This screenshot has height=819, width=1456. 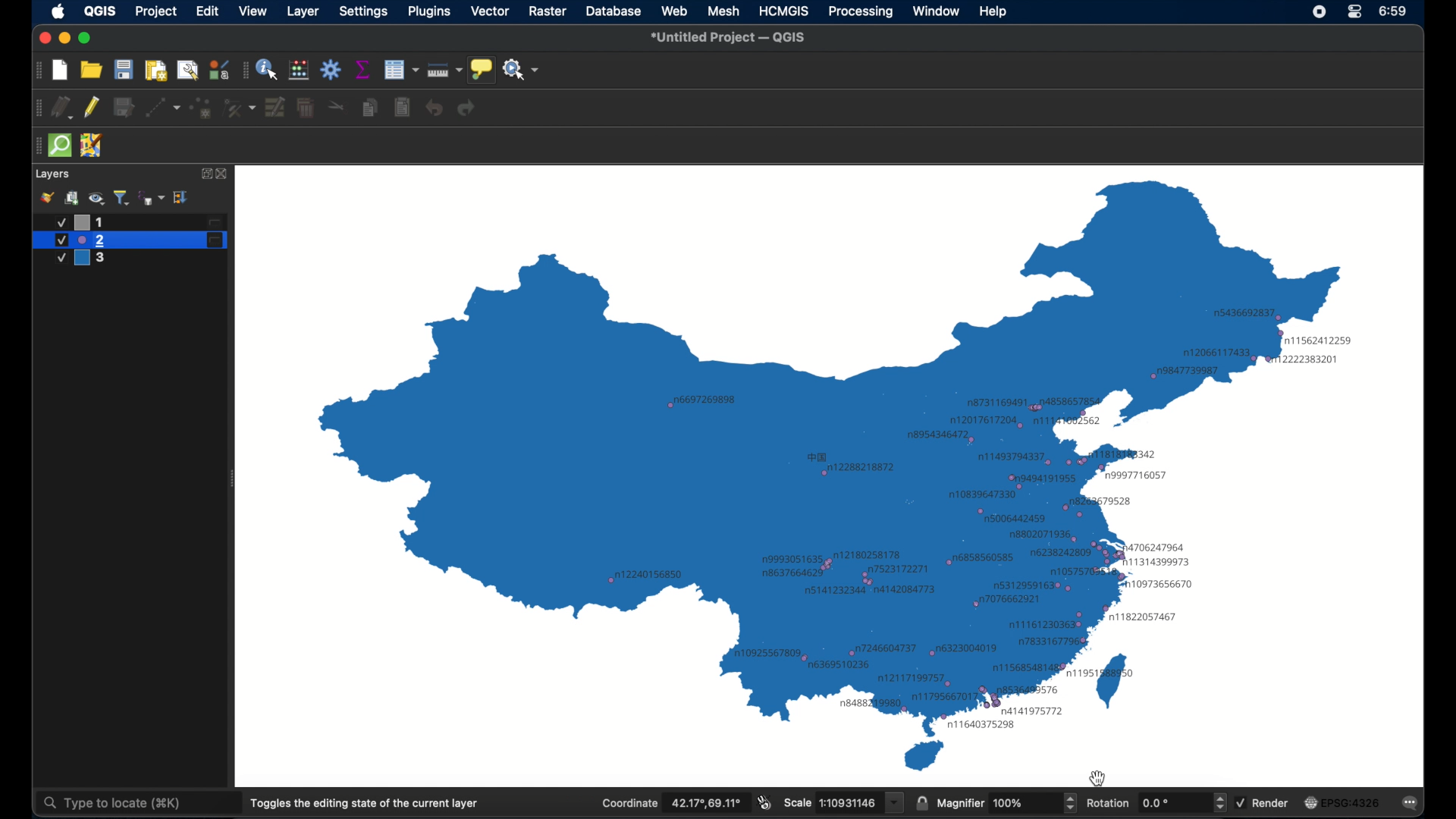 What do you see at coordinates (765, 802) in the screenshot?
I see `toggle extents and mouse display position` at bounding box center [765, 802].